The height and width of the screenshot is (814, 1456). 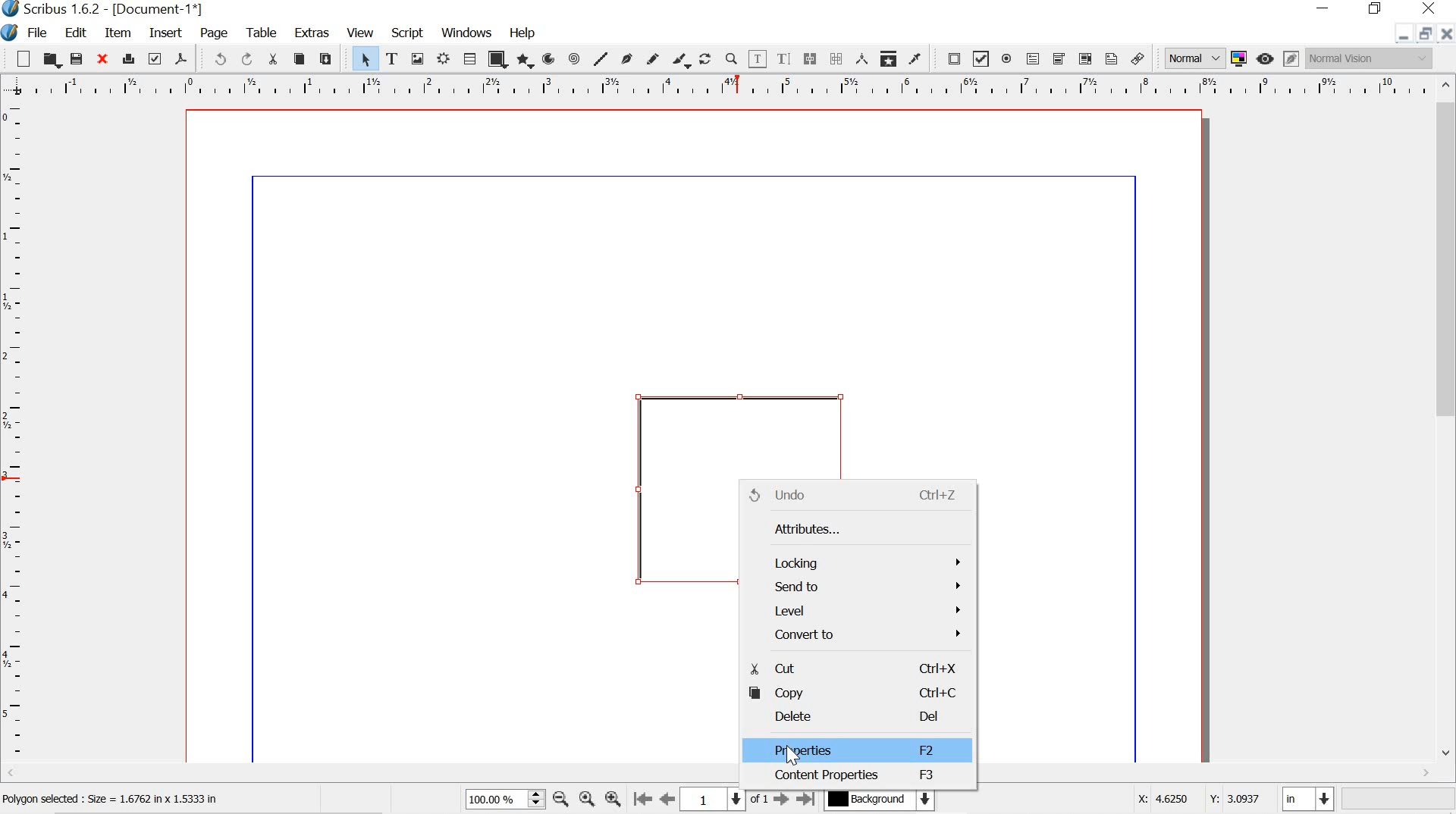 I want to click on go to the perious page, so click(x=670, y=800).